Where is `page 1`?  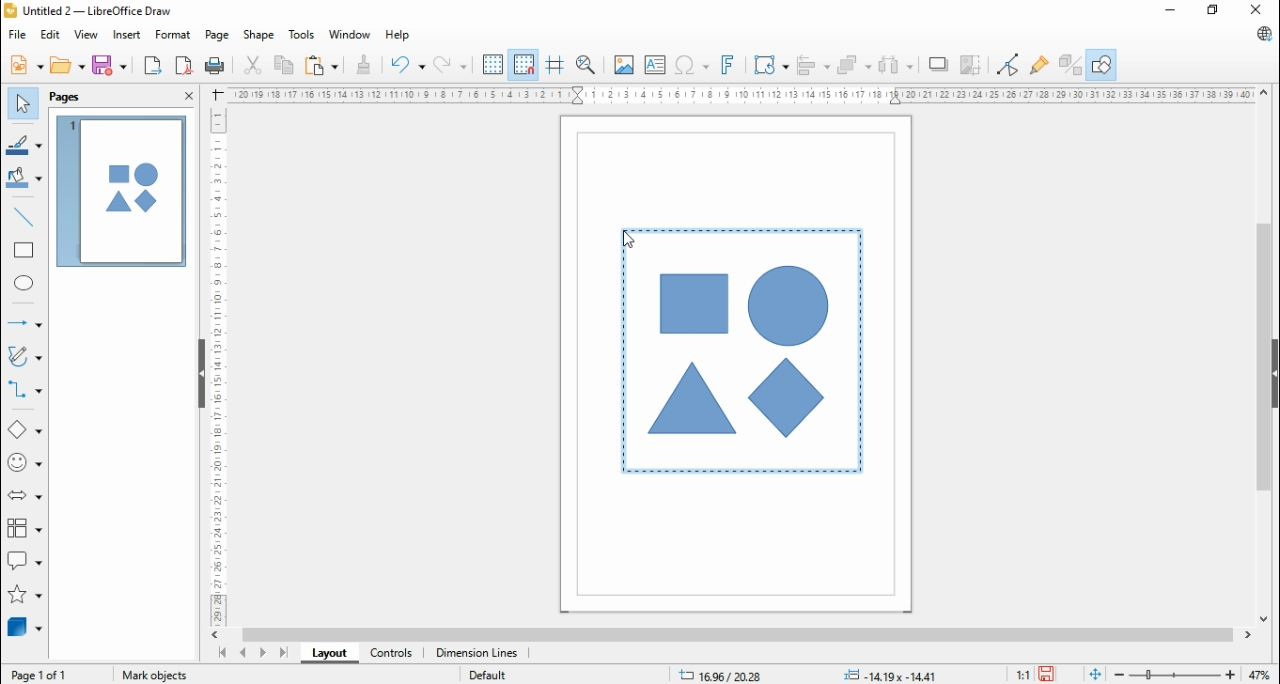
page 1 is located at coordinates (121, 192).